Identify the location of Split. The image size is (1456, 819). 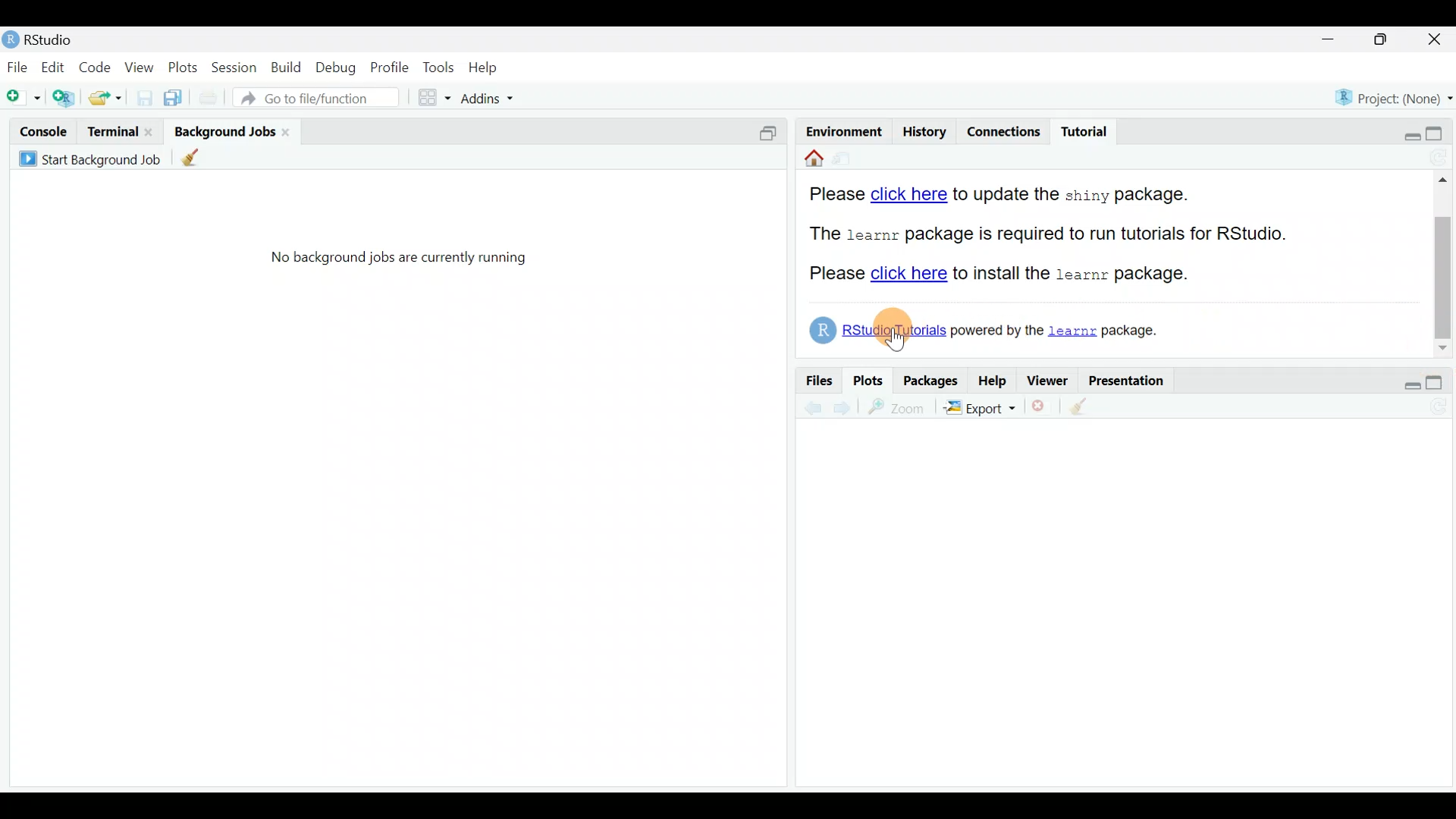
(772, 132).